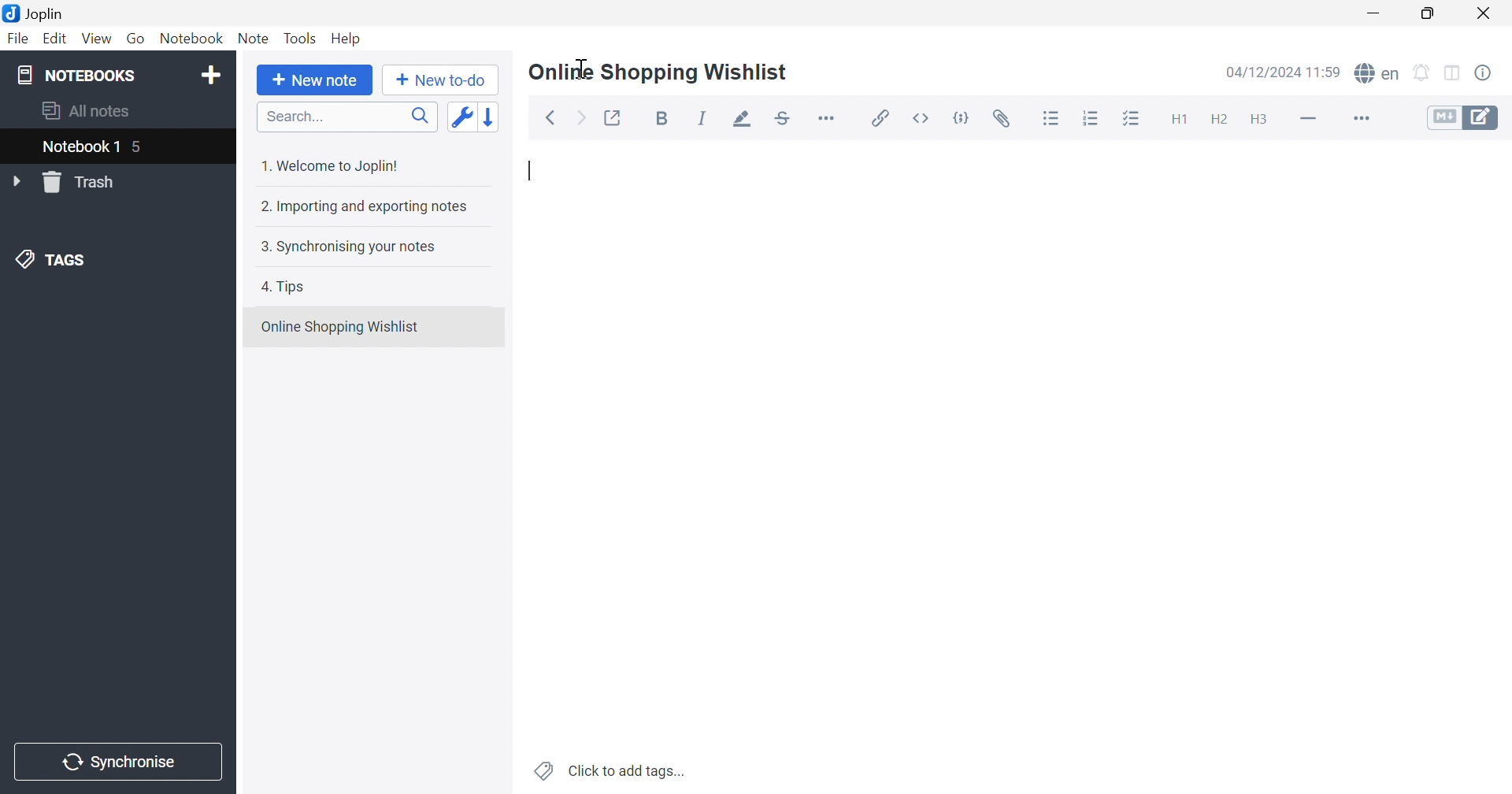 The width and height of the screenshot is (1512, 794). What do you see at coordinates (75, 74) in the screenshot?
I see `NOTEBOOKS` at bounding box center [75, 74].